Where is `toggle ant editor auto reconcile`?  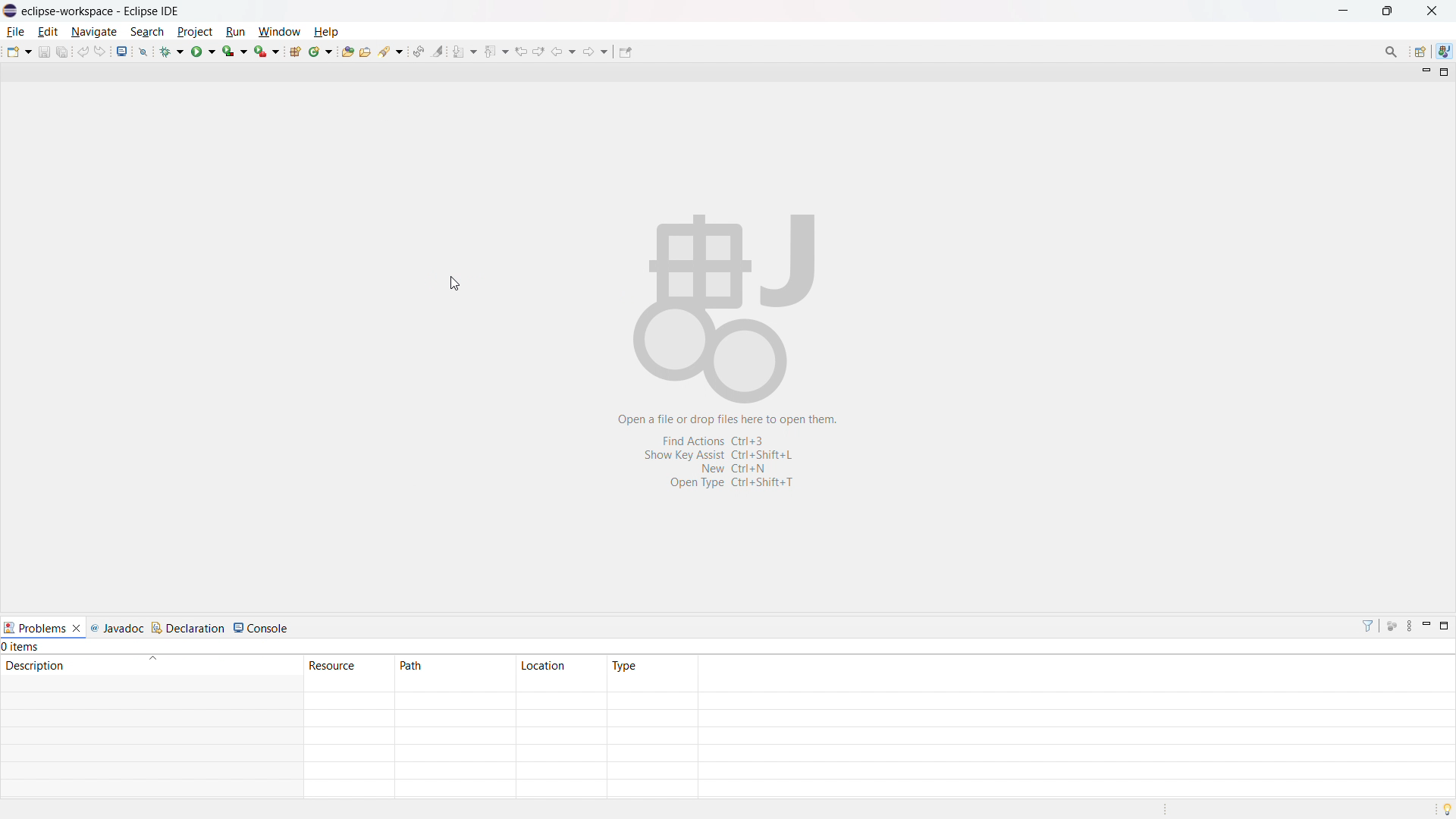 toggle ant editor auto reconcile is located at coordinates (419, 52).